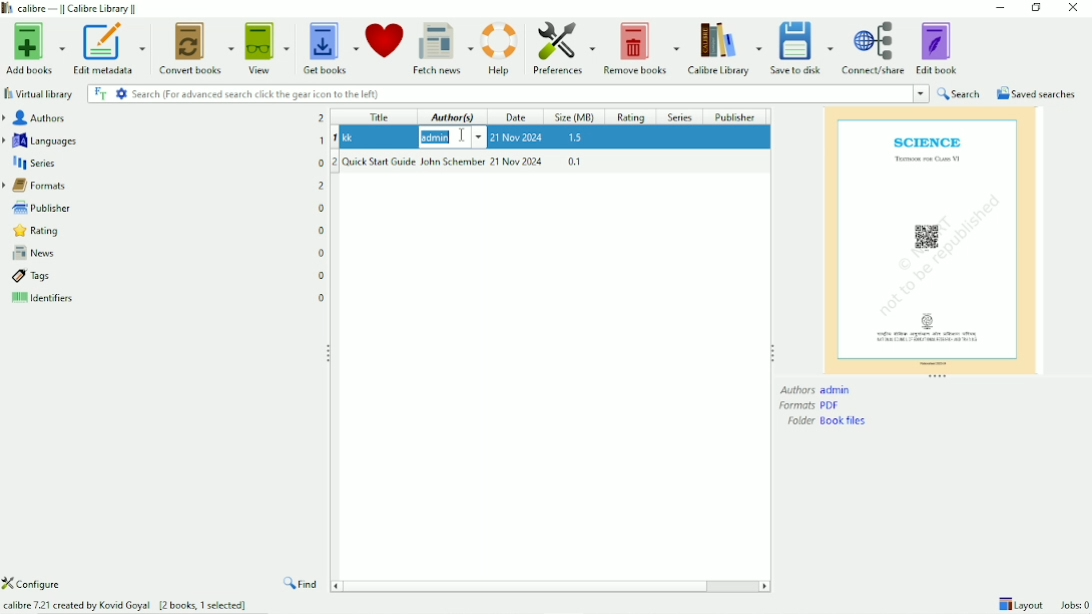  I want to click on Jobs 0, so click(1071, 606).